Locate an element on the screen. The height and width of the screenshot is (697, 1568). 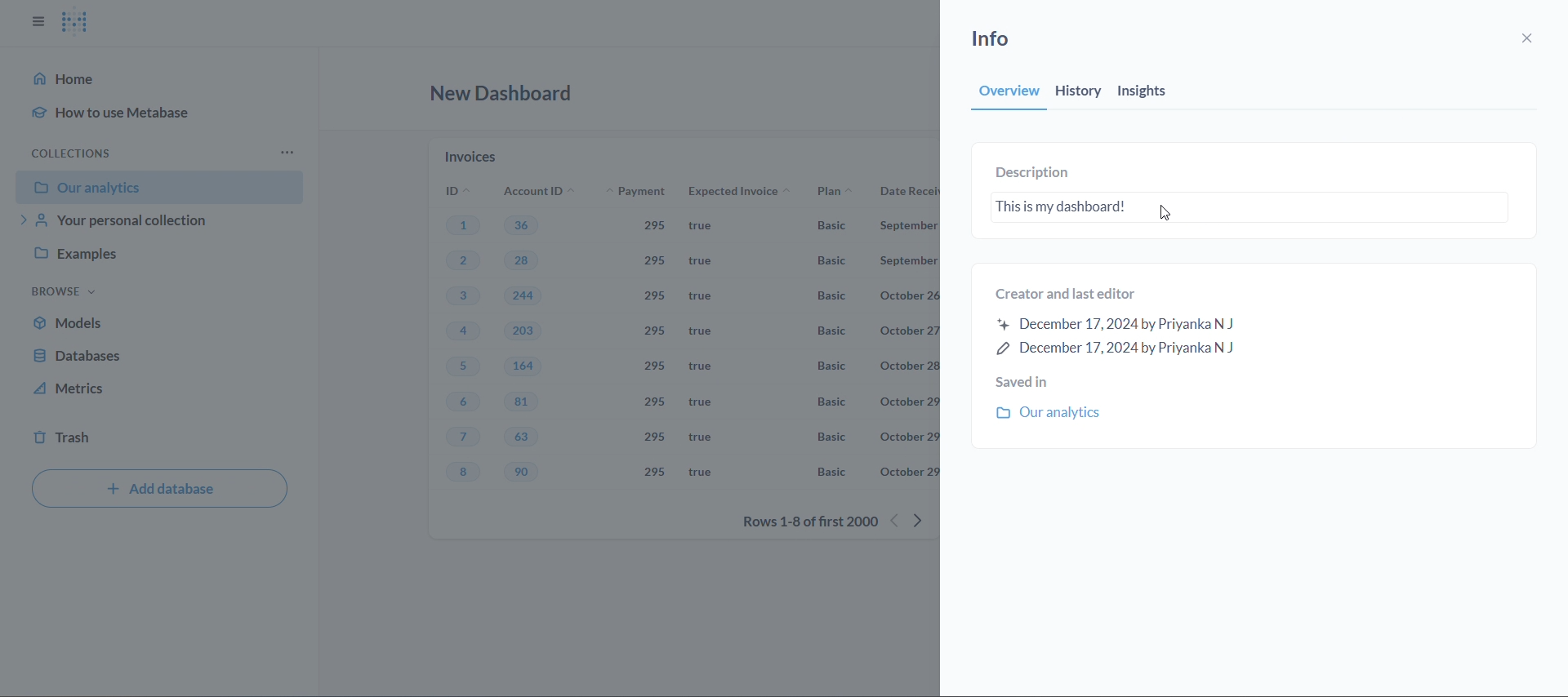
Basic is located at coordinates (836, 366).